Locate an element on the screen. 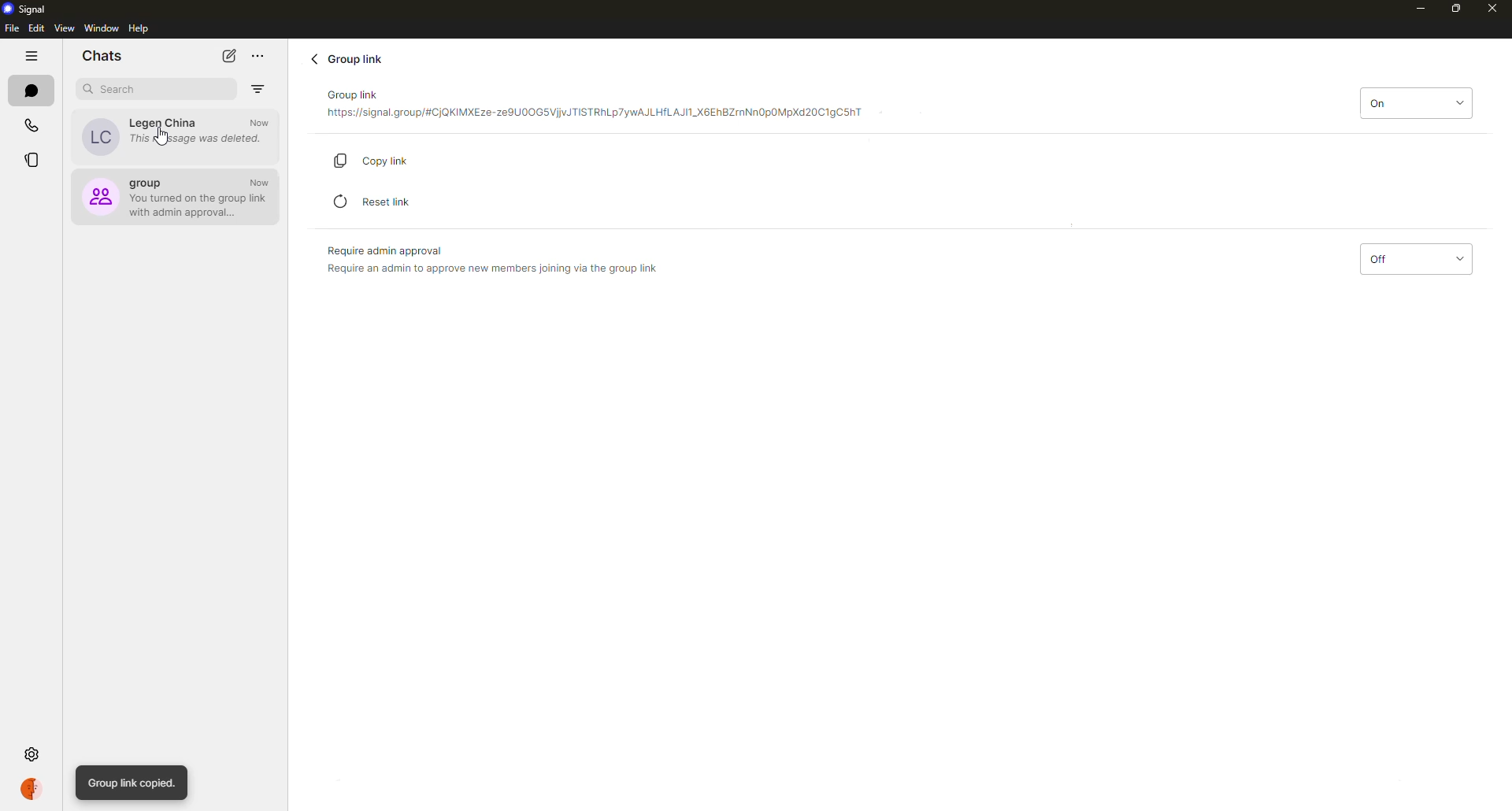 This screenshot has height=811, width=1512. stories is located at coordinates (31, 162).